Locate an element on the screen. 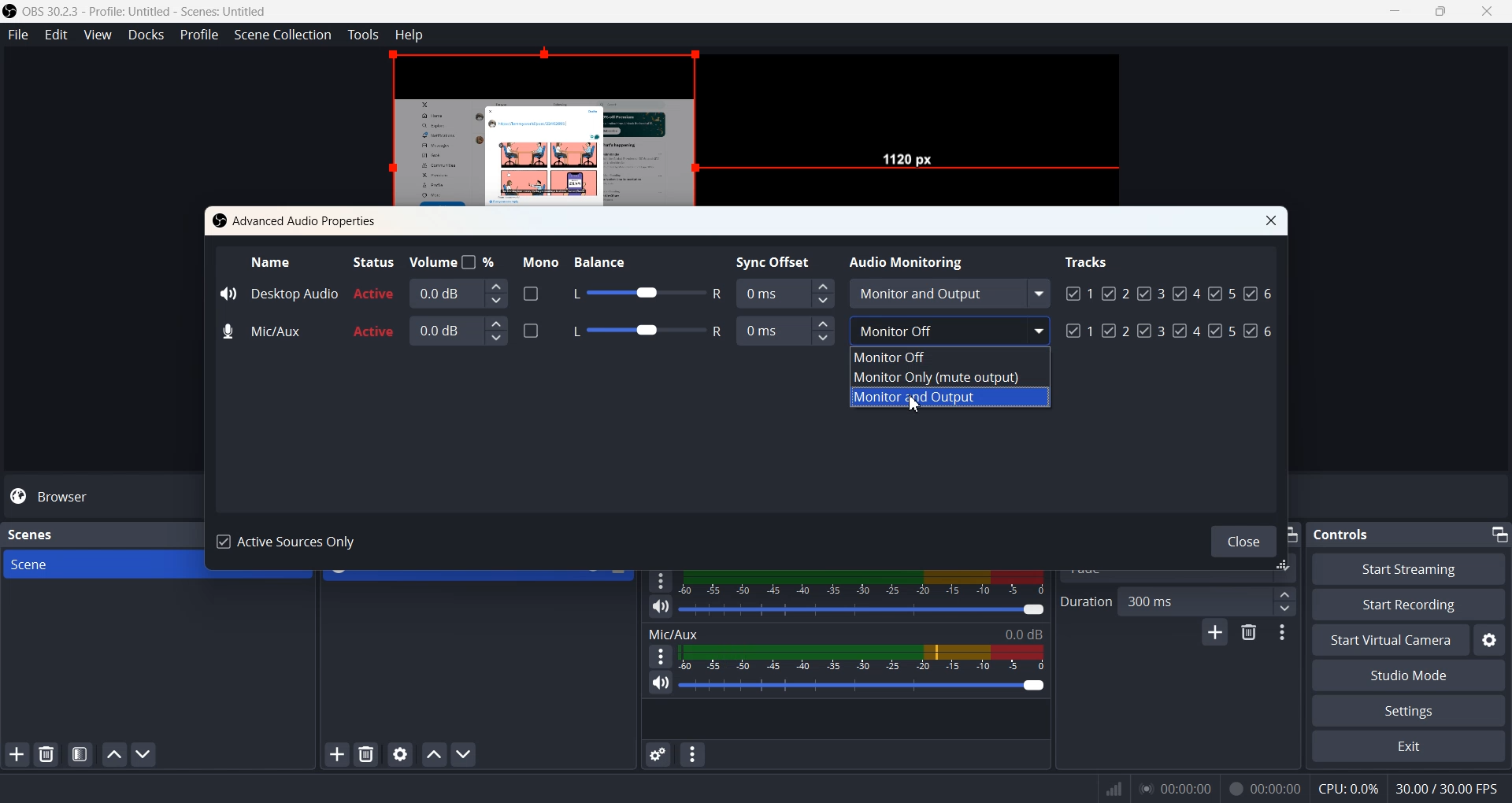 This screenshot has width=1512, height=803. Controls is located at coordinates (1347, 533).